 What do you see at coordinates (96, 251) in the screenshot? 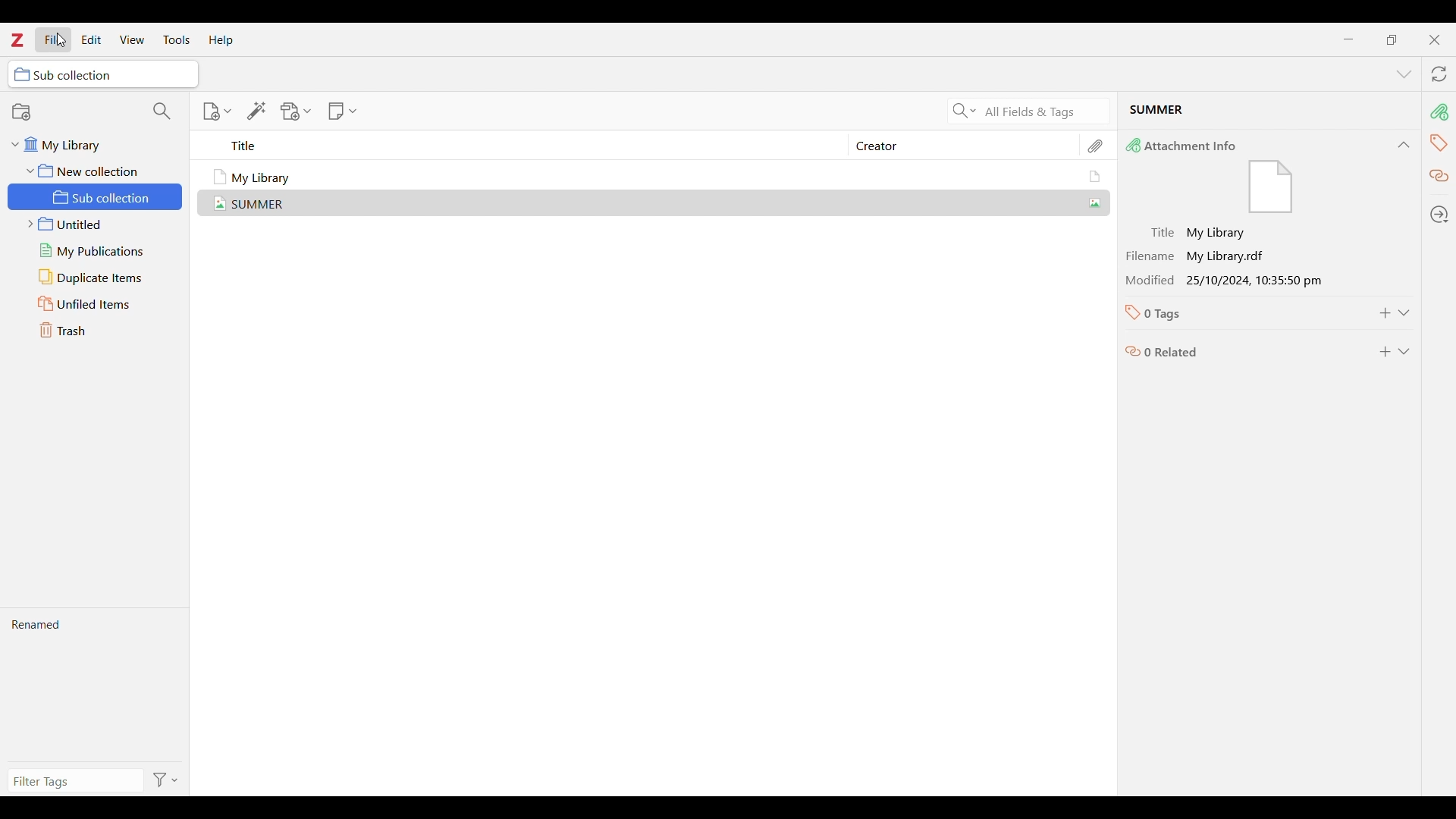
I see `My publications ` at bounding box center [96, 251].